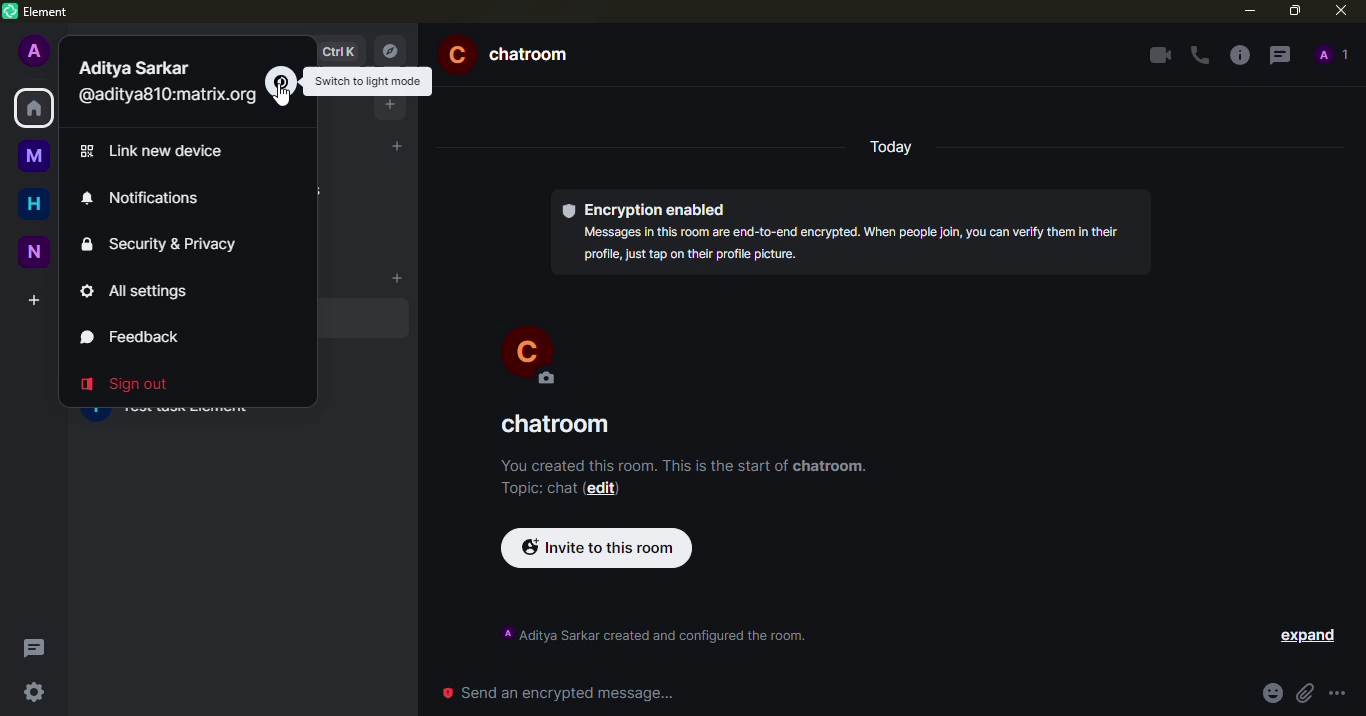  What do you see at coordinates (655, 636) in the screenshot?
I see `aditya sarkar created and configured the room` at bounding box center [655, 636].